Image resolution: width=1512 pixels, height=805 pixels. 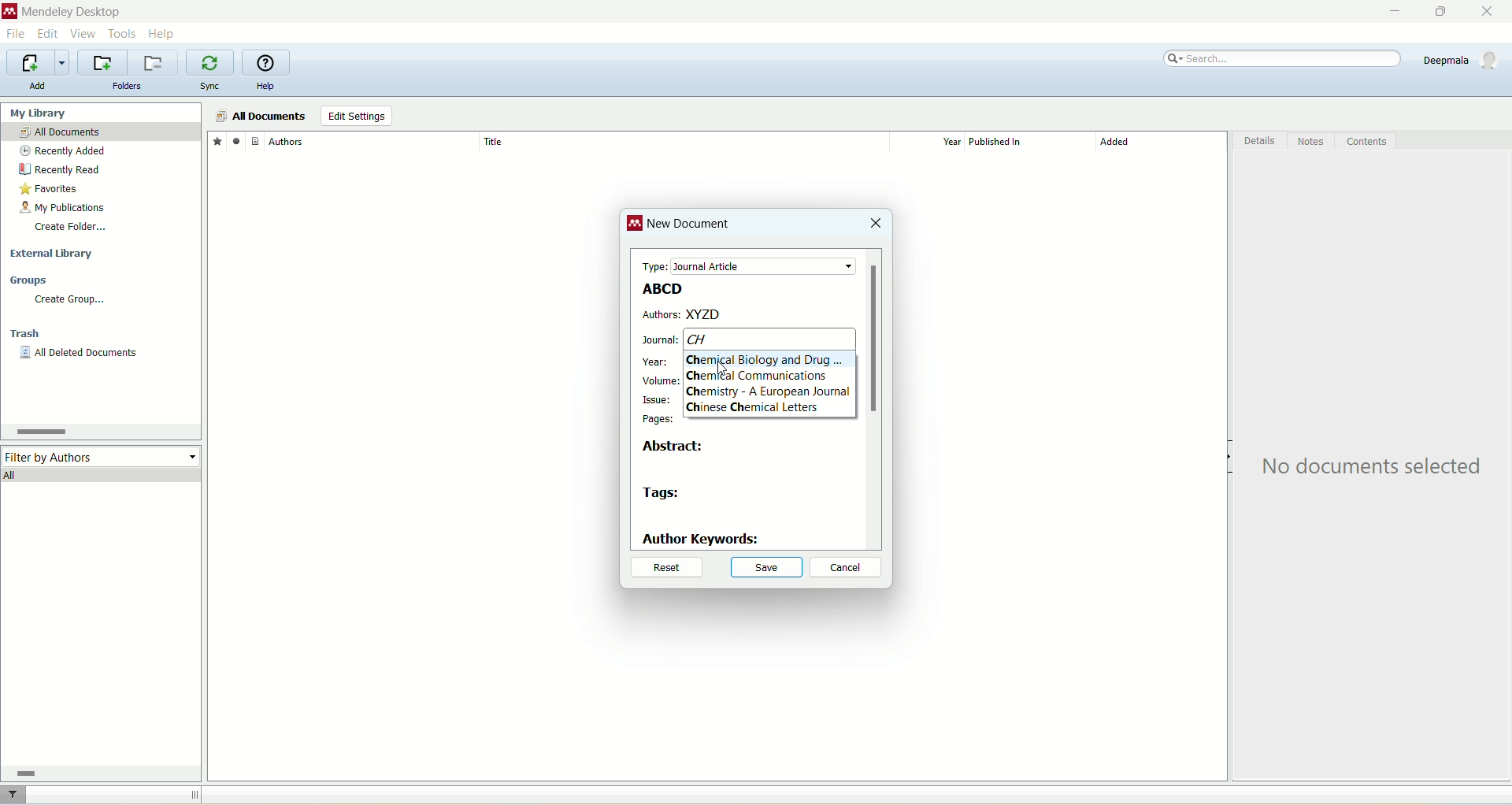 What do you see at coordinates (102, 474) in the screenshot?
I see `all` at bounding box center [102, 474].